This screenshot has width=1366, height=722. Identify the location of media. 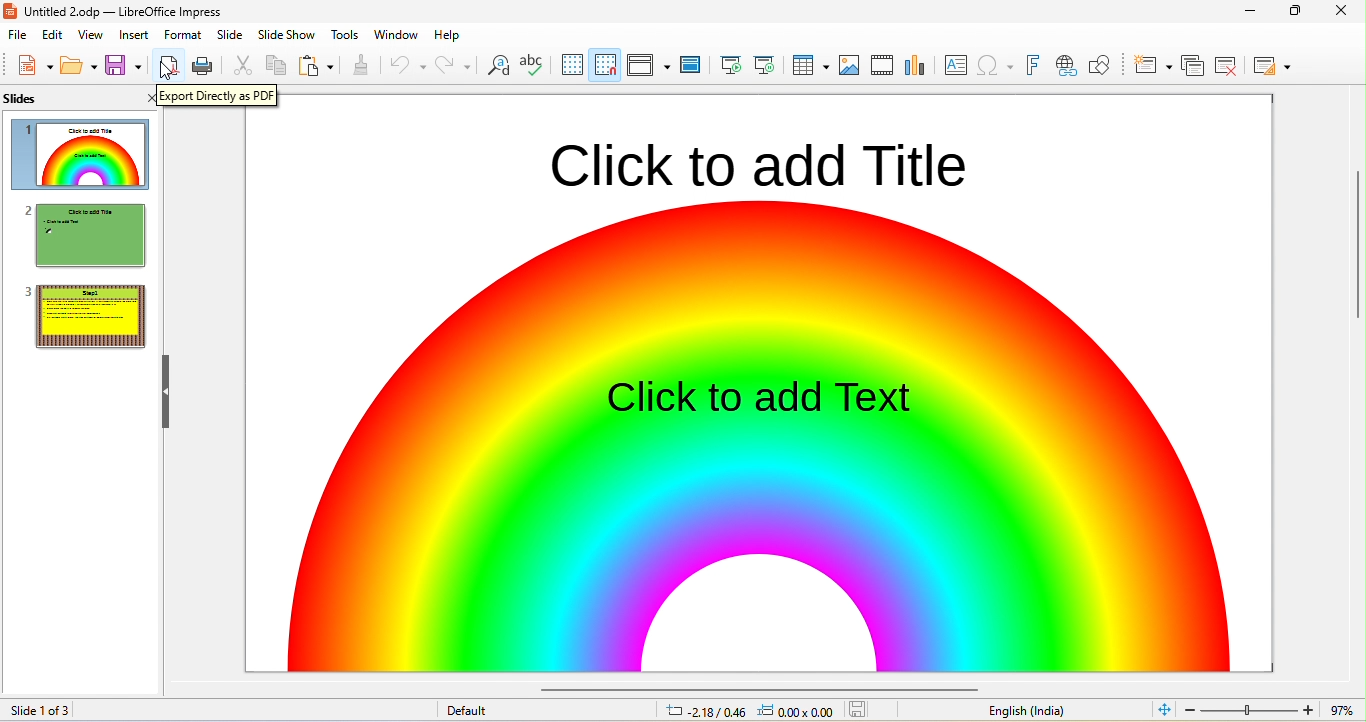
(880, 66).